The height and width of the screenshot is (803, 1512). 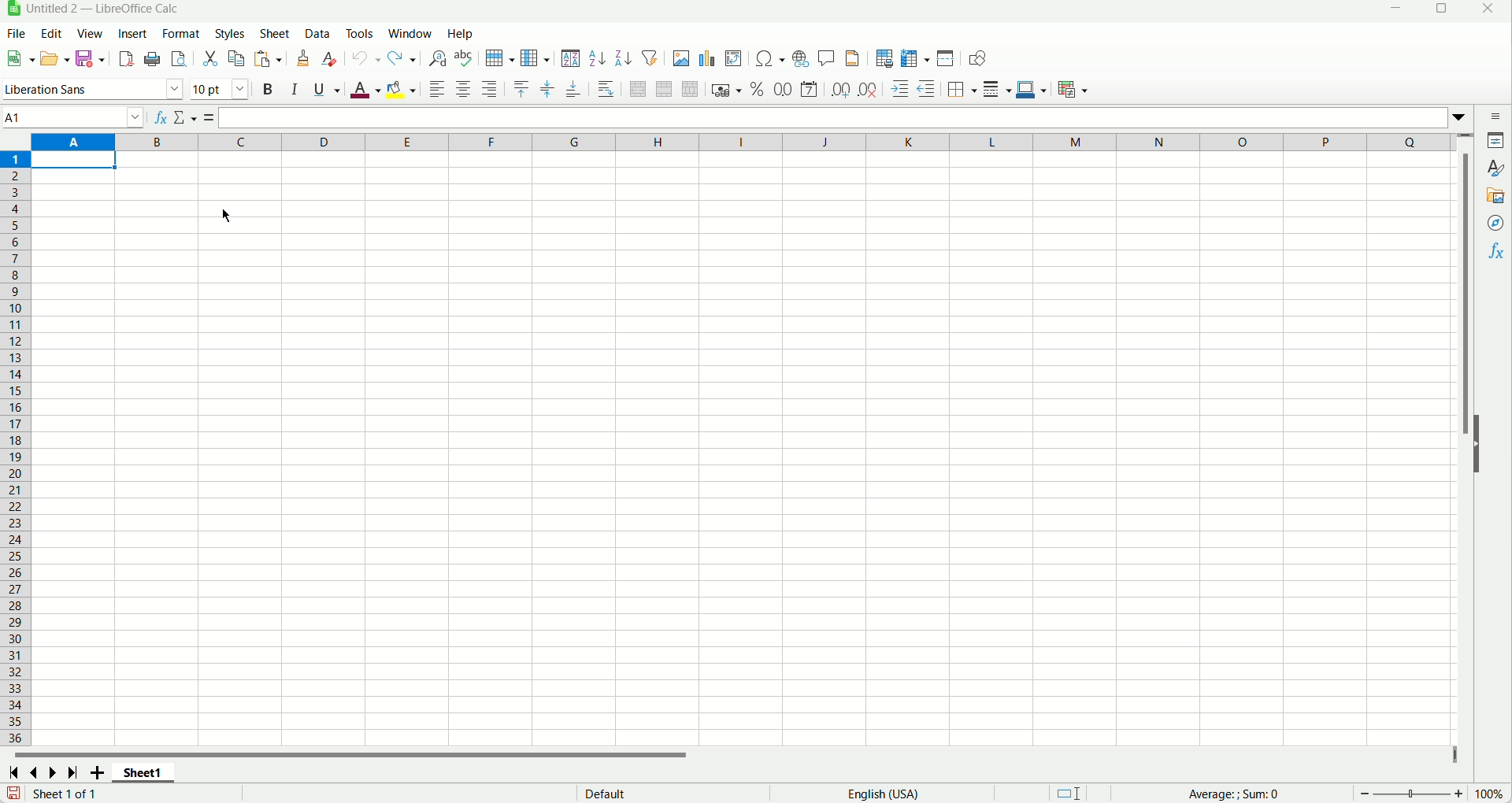 What do you see at coordinates (161, 120) in the screenshot?
I see `Function wizard` at bounding box center [161, 120].